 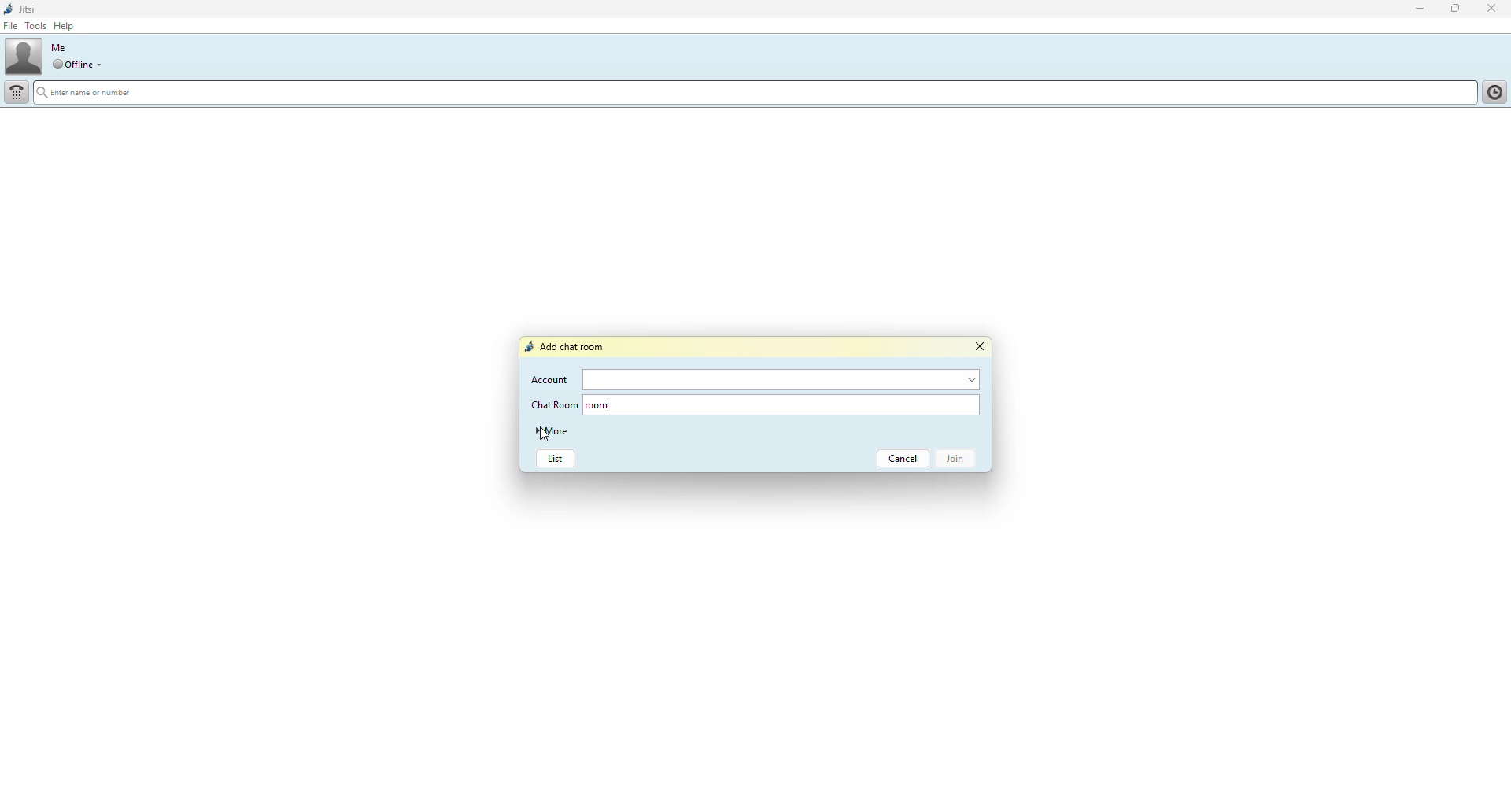 What do you see at coordinates (22, 9) in the screenshot?
I see `jitsi` at bounding box center [22, 9].